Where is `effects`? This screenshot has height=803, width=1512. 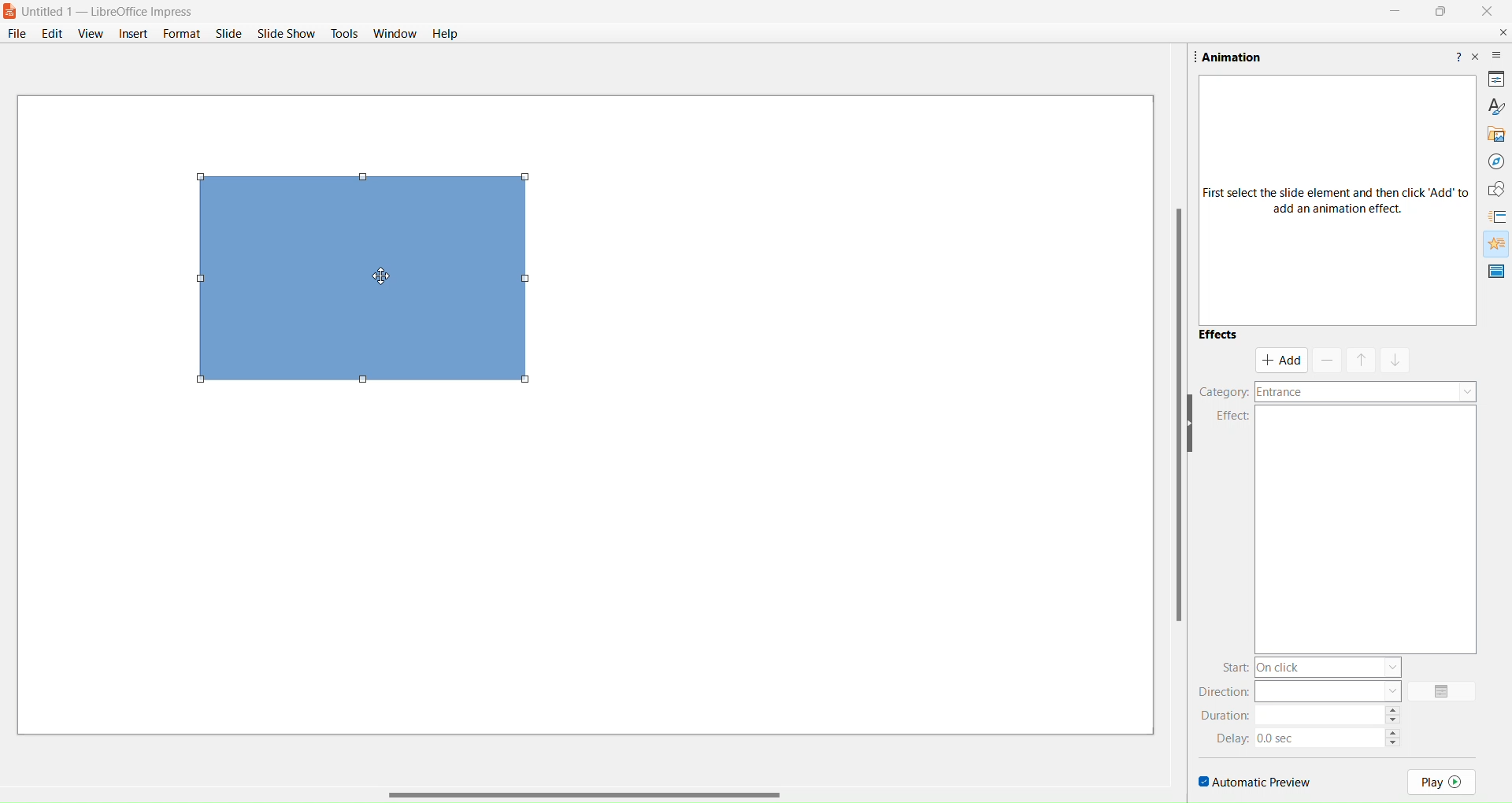 effects is located at coordinates (1218, 337).